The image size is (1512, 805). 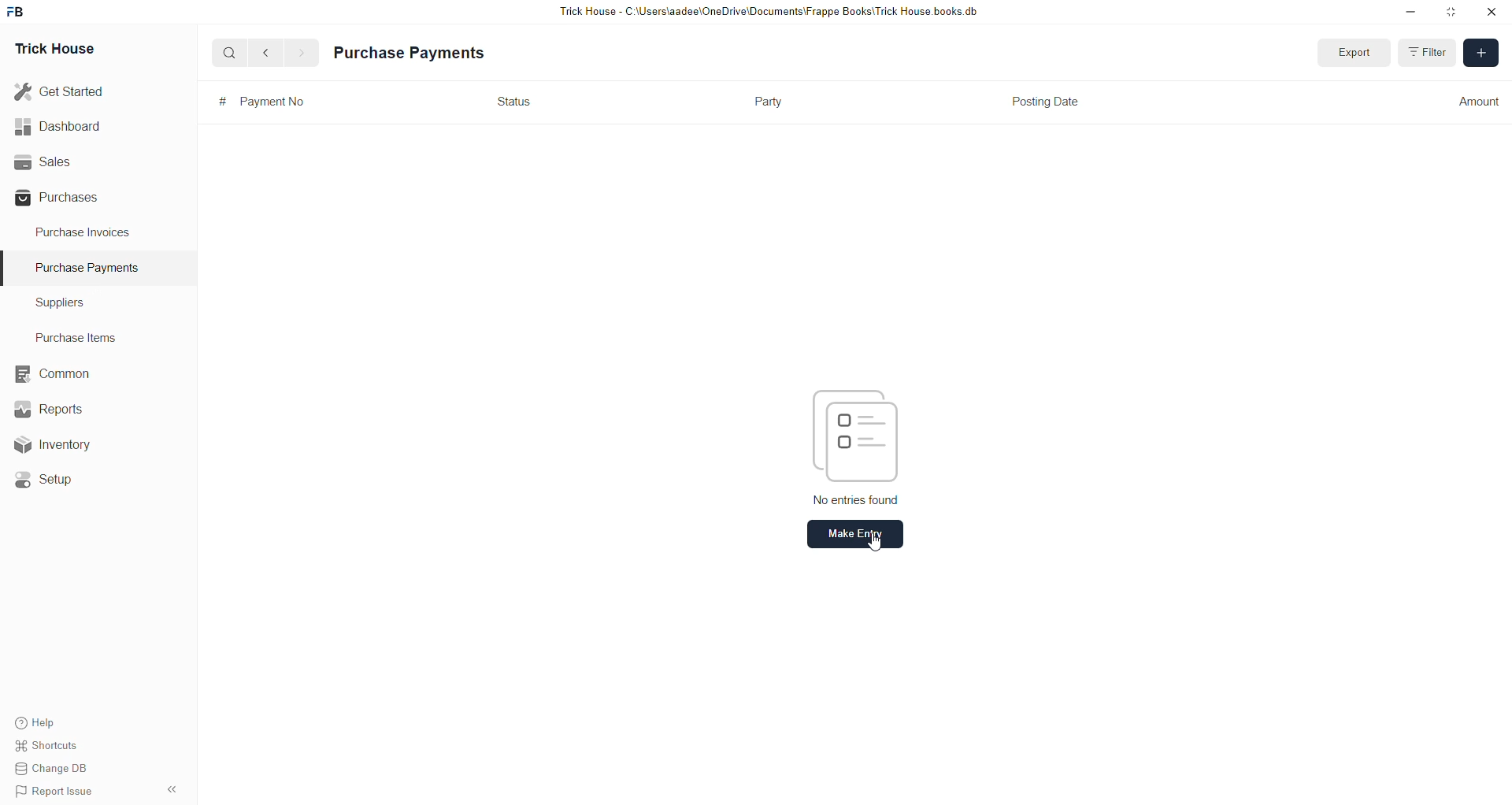 What do you see at coordinates (61, 126) in the screenshot?
I see `Dashboard` at bounding box center [61, 126].